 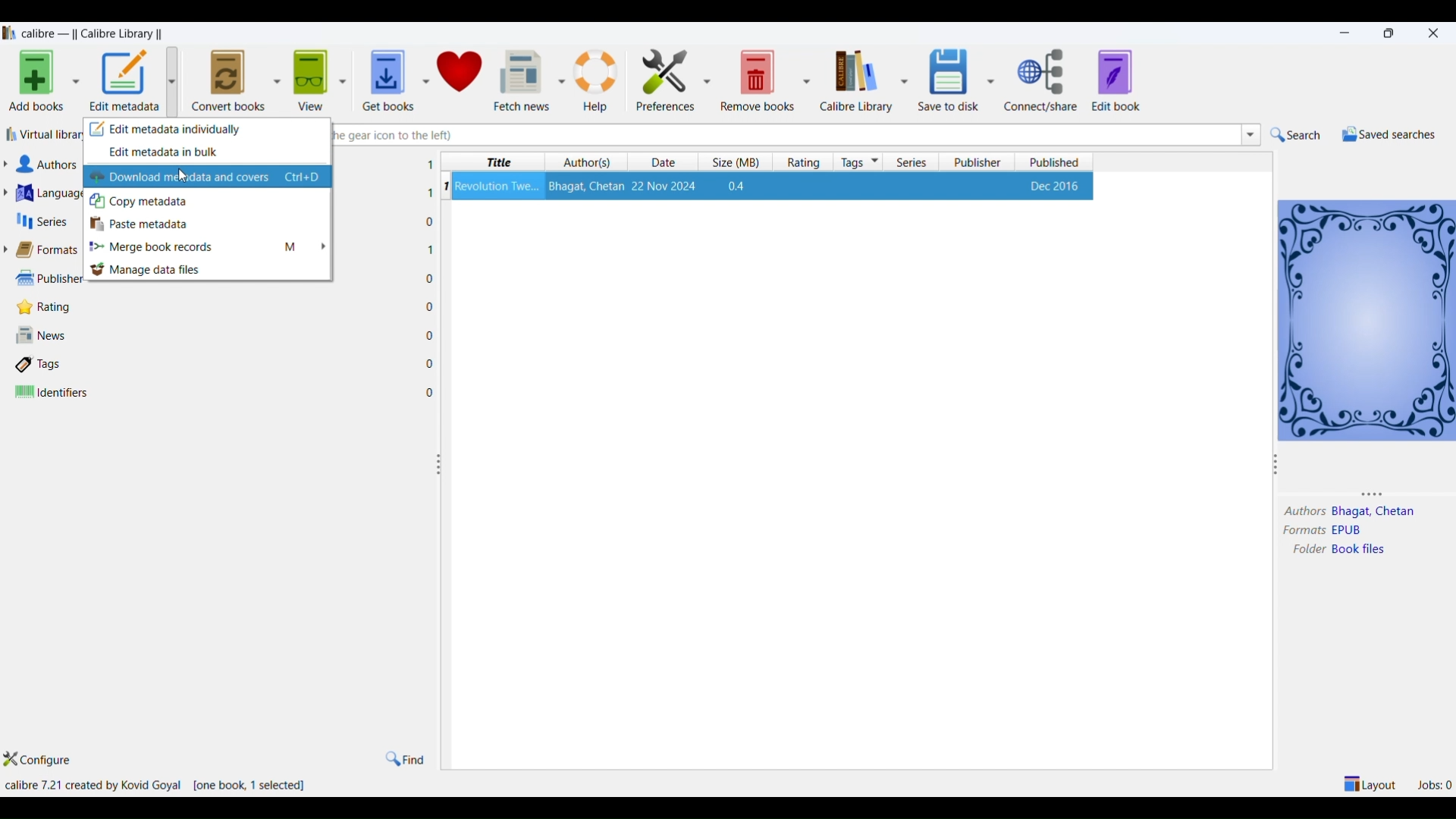 What do you see at coordinates (404, 758) in the screenshot?
I see `find` at bounding box center [404, 758].